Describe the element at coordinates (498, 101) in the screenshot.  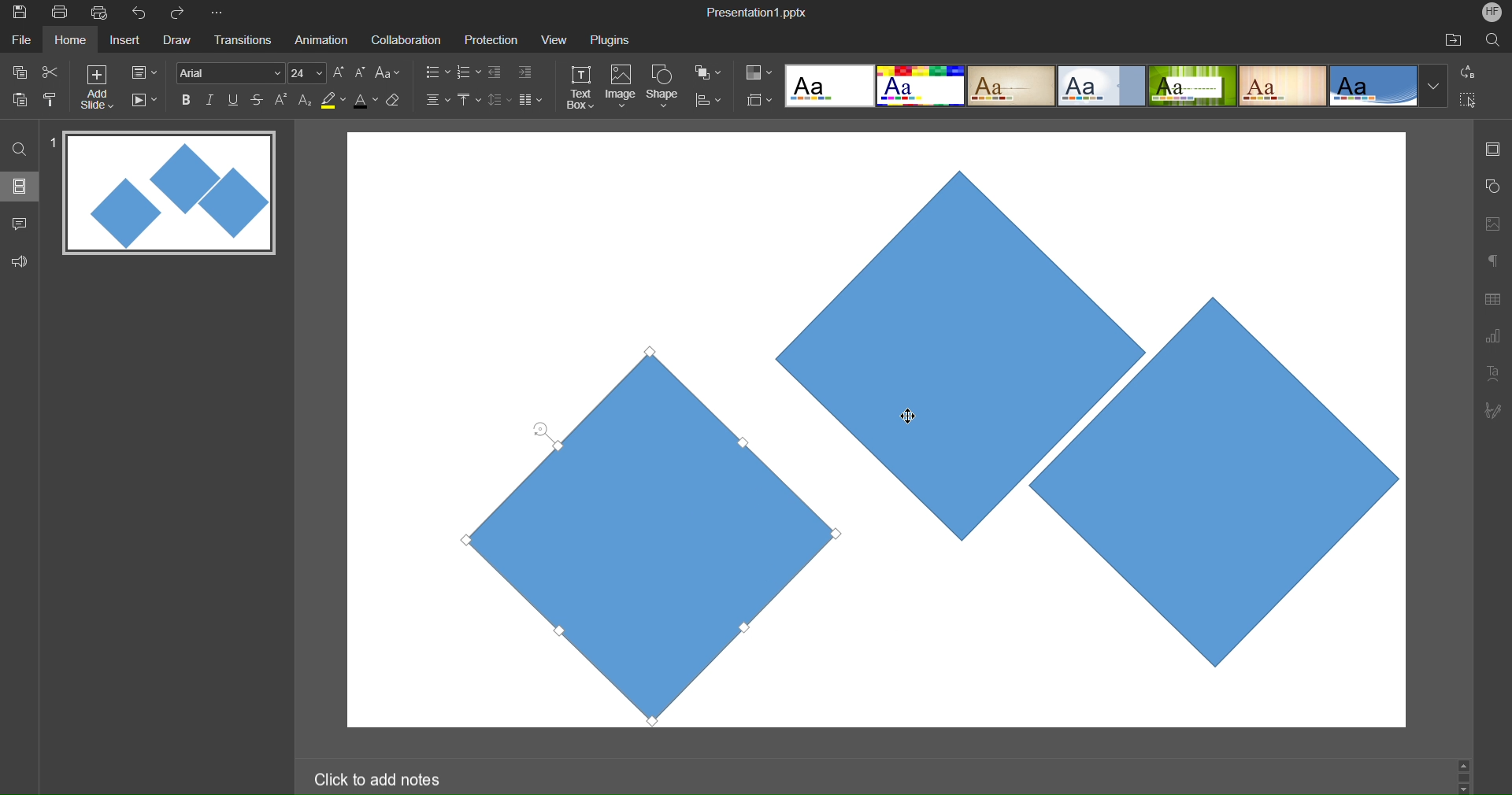
I see `Line Spacing` at that location.